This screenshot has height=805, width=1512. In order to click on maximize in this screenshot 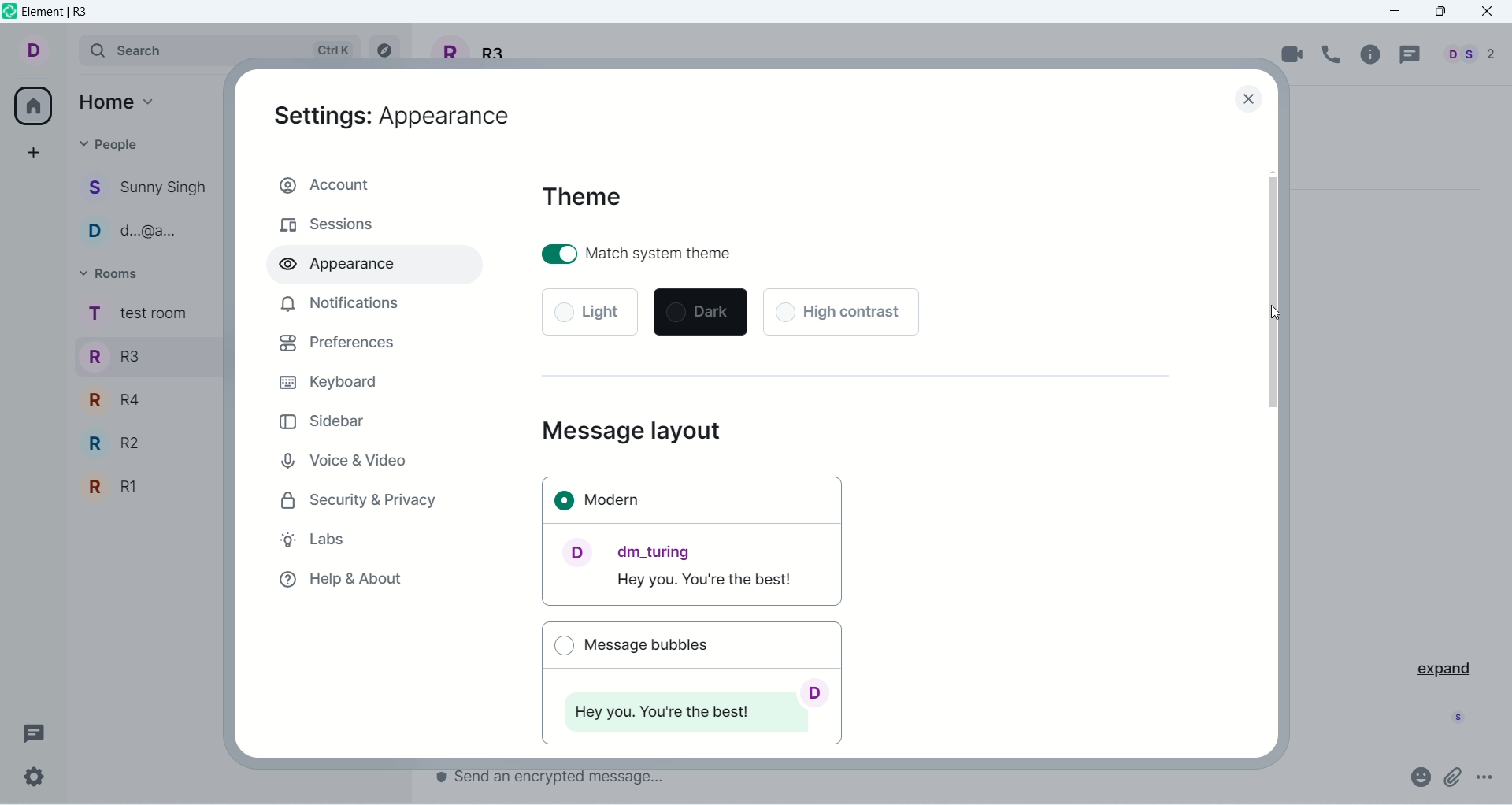, I will do `click(1440, 13)`.